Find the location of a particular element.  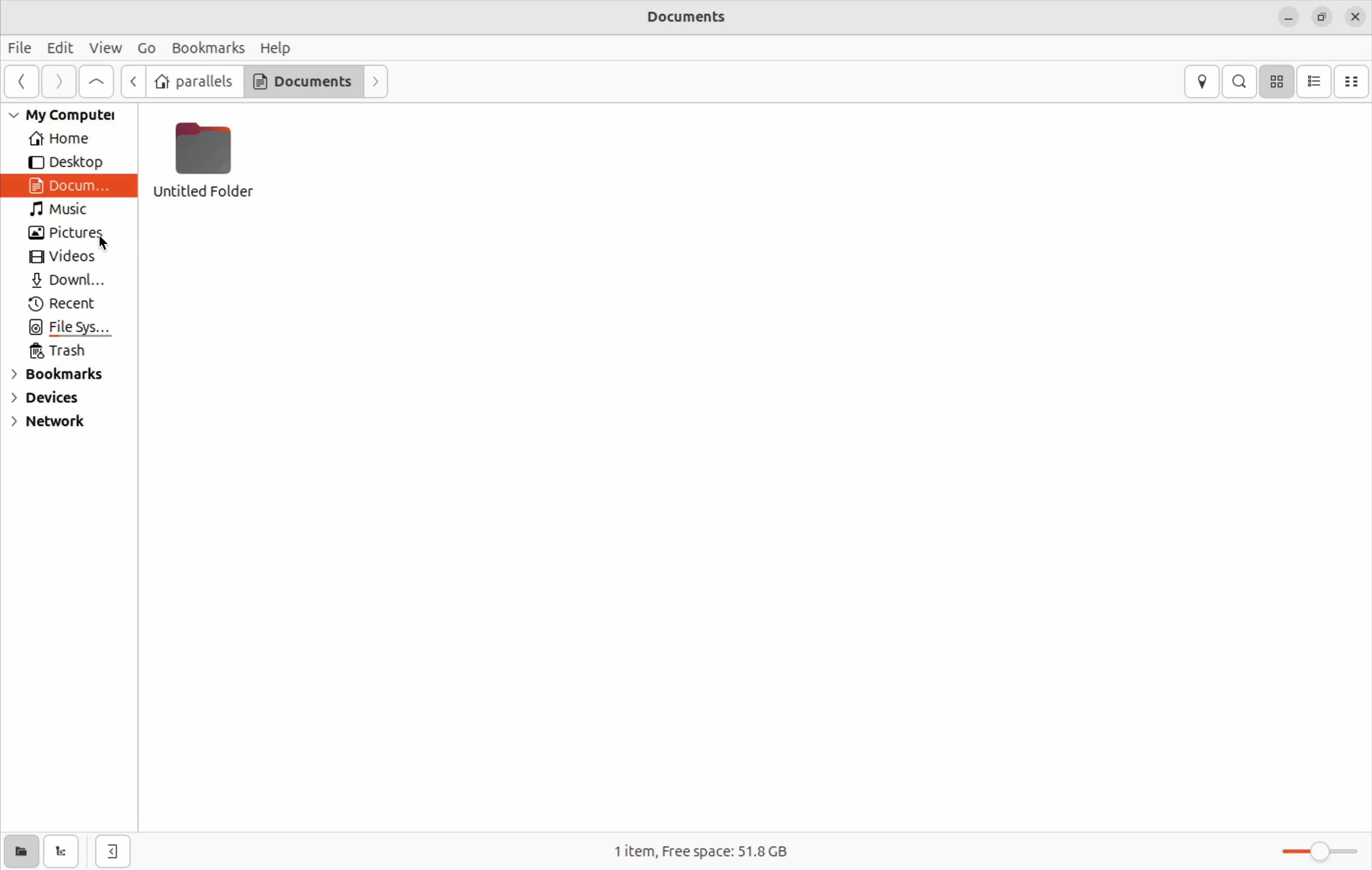

Zoom is located at coordinates (1314, 849).